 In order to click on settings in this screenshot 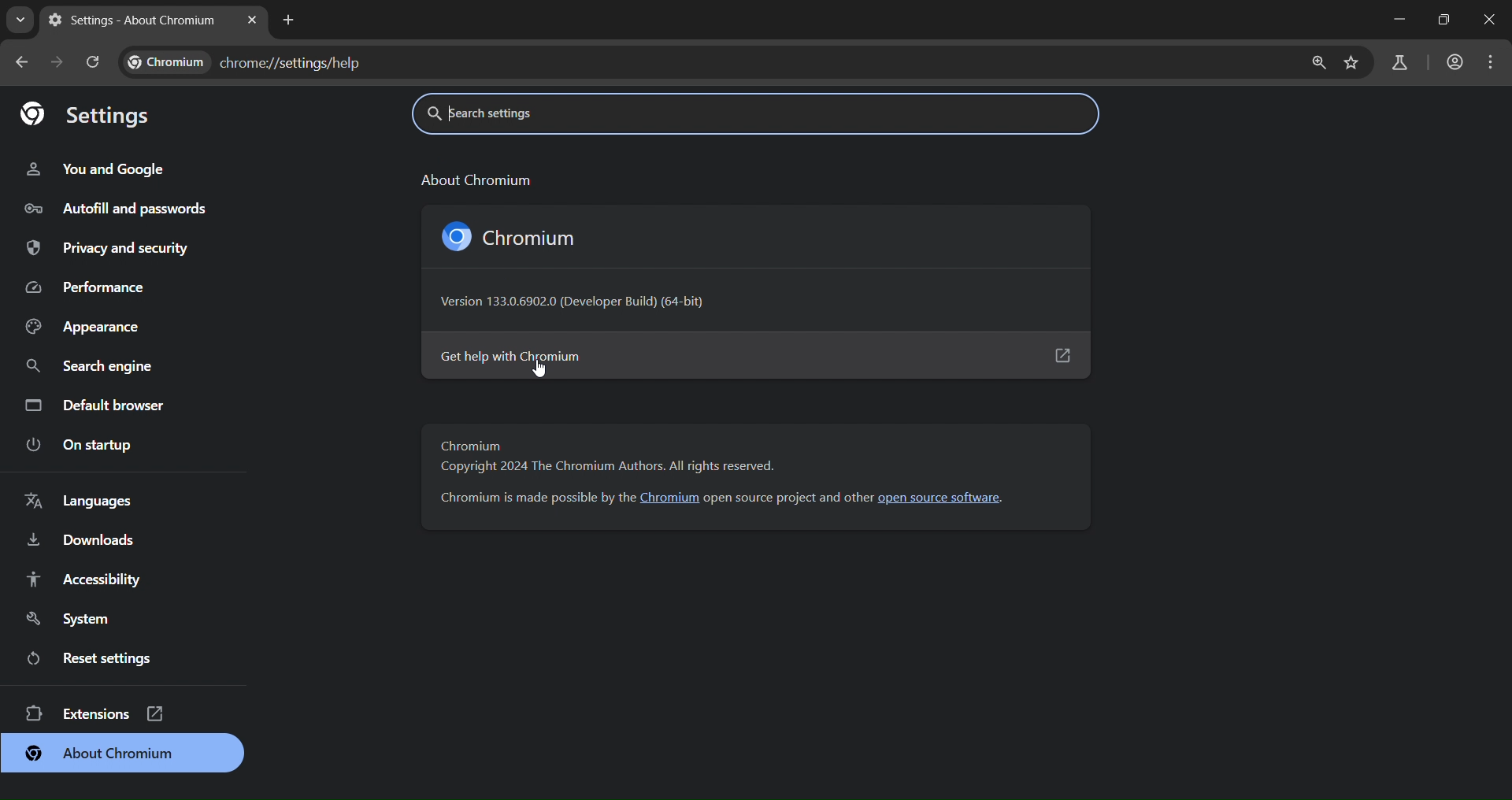, I will do `click(89, 113)`.